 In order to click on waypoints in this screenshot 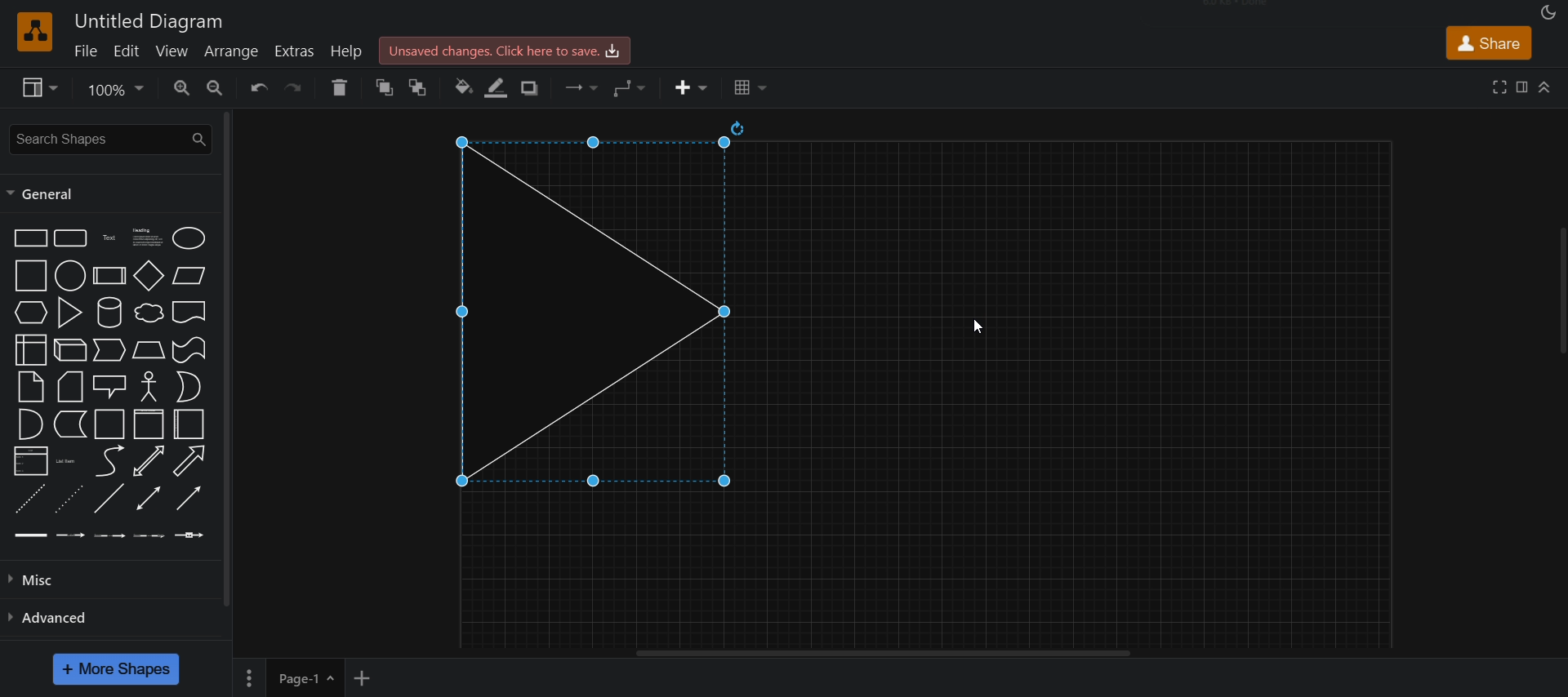, I will do `click(628, 87)`.